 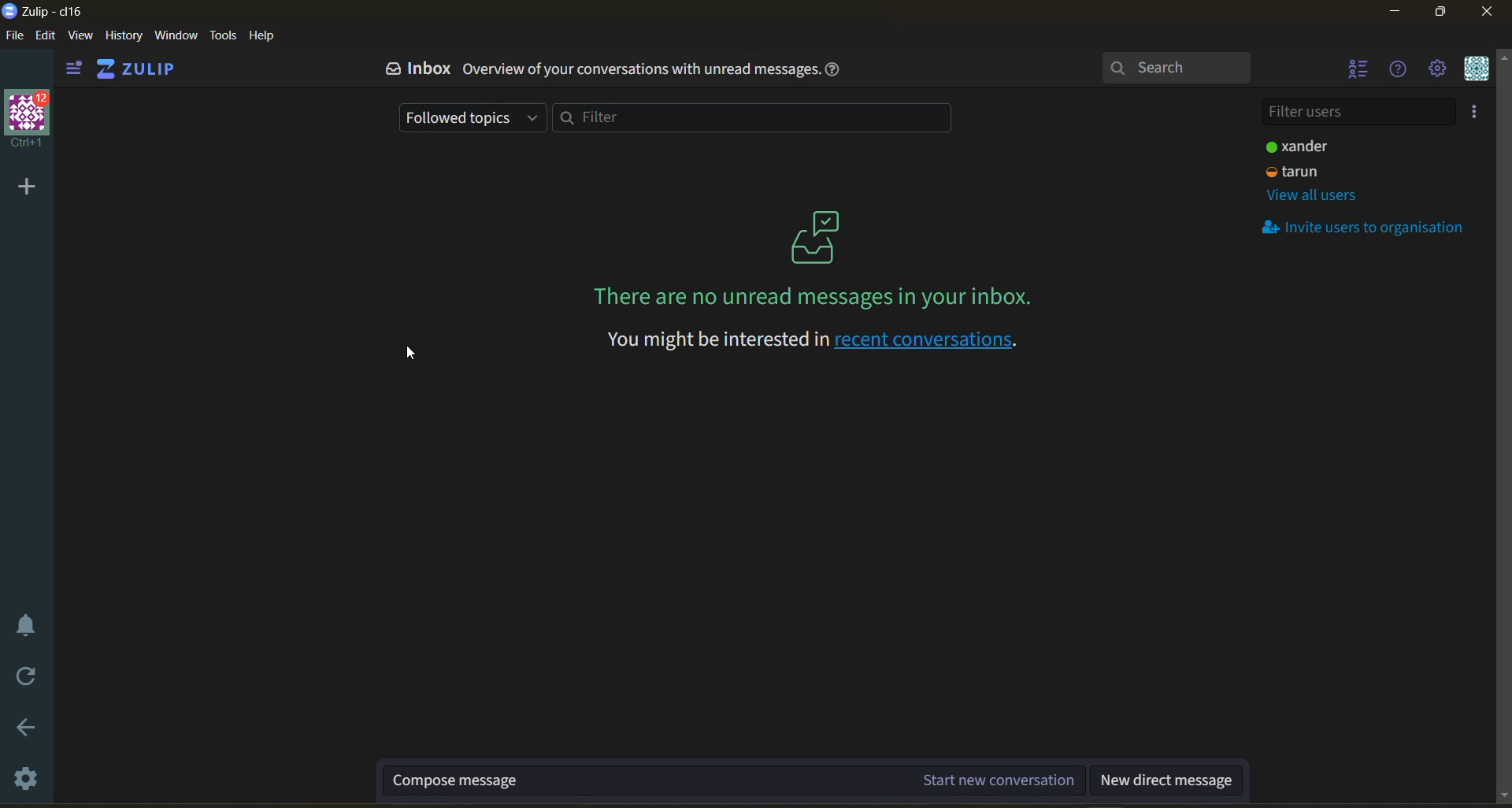 I want to click on app name and organisation name, so click(x=44, y=10).